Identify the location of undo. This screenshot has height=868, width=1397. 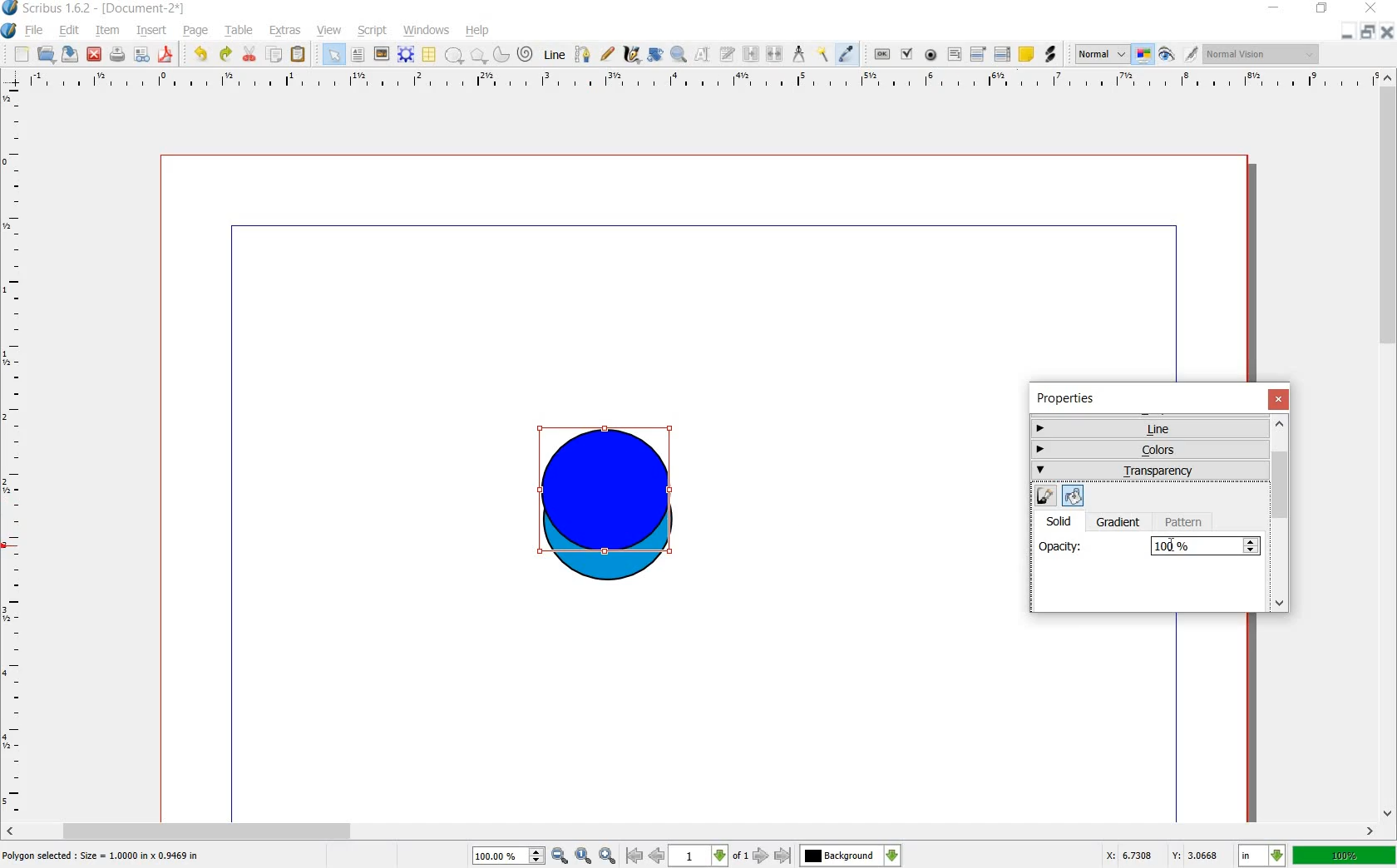
(202, 55).